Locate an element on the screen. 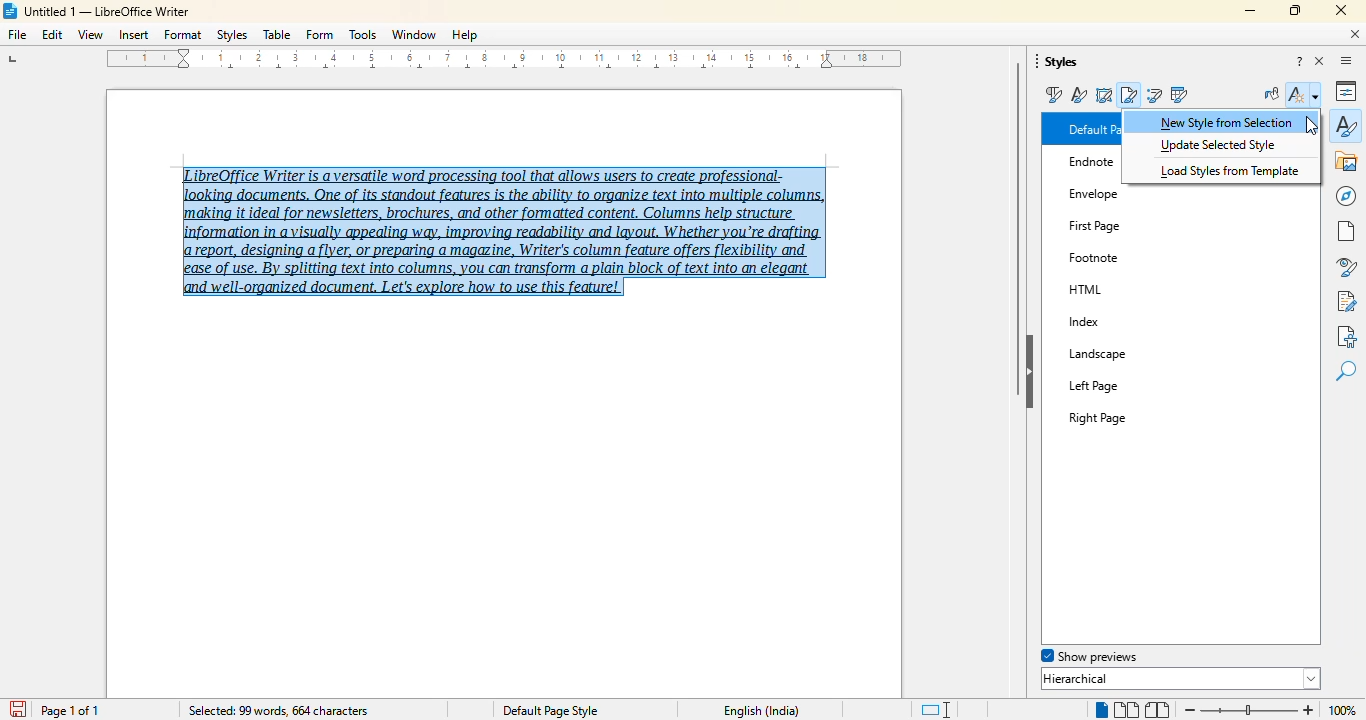 This screenshot has height=720, width=1366. table is located at coordinates (277, 35).